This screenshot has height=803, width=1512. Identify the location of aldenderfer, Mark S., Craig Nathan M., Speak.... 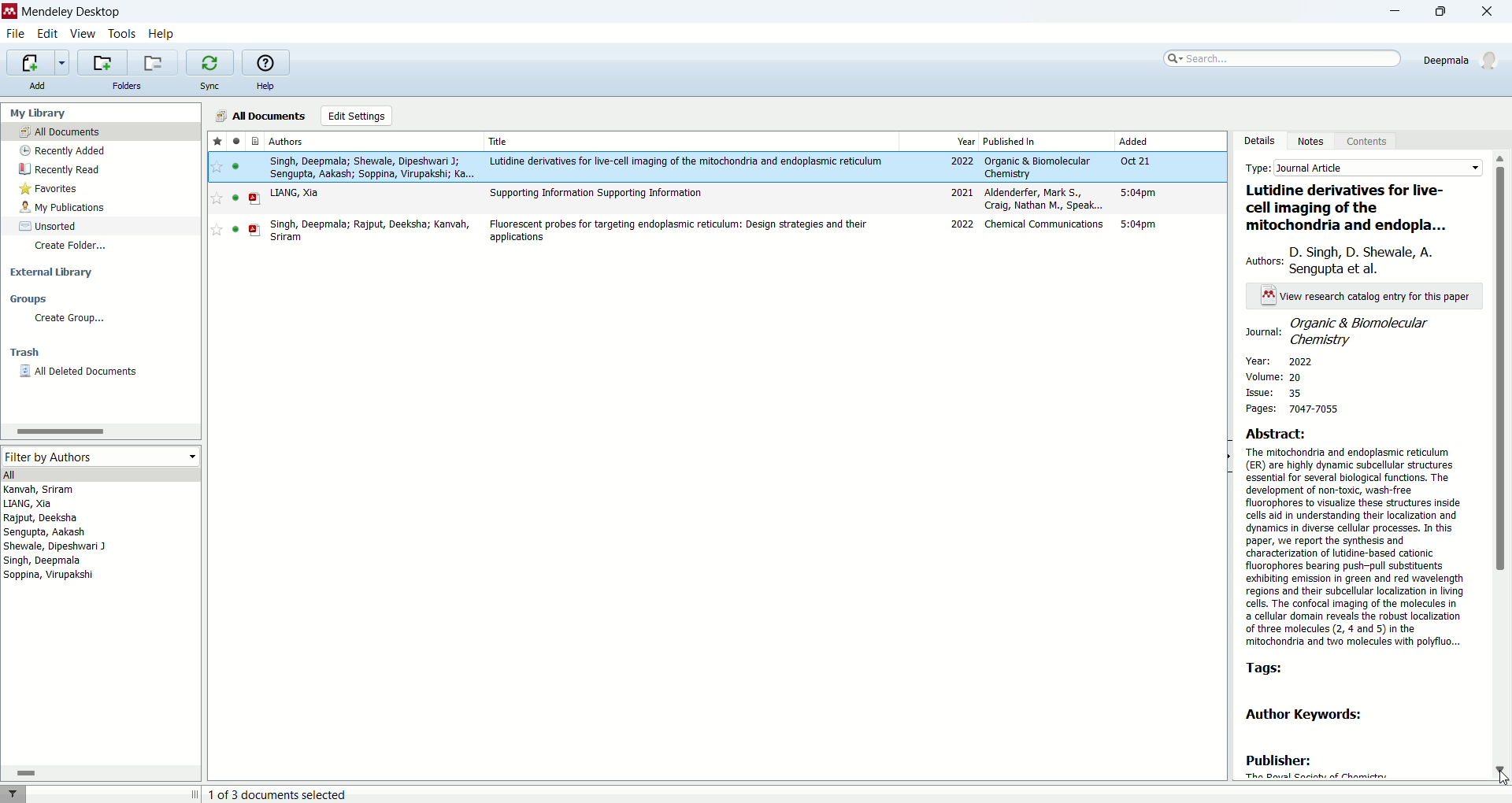
(1044, 198).